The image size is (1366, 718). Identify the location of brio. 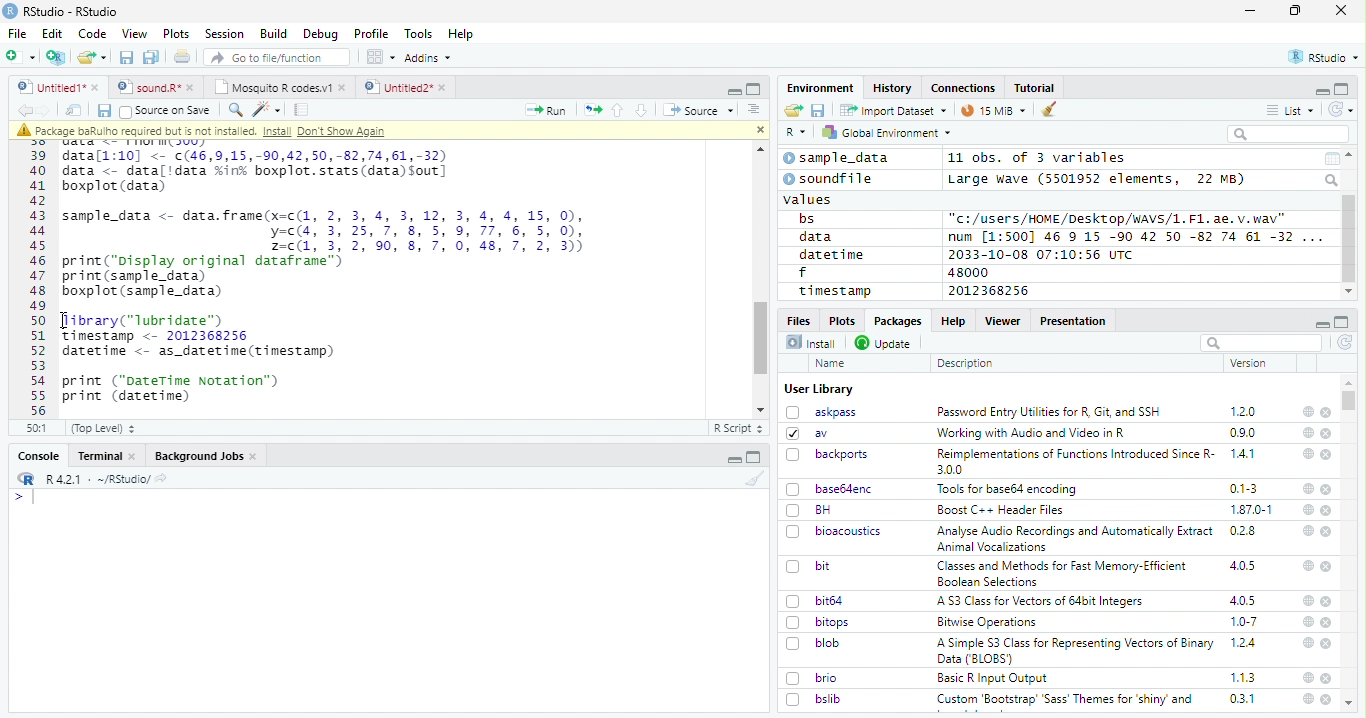
(812, 678).